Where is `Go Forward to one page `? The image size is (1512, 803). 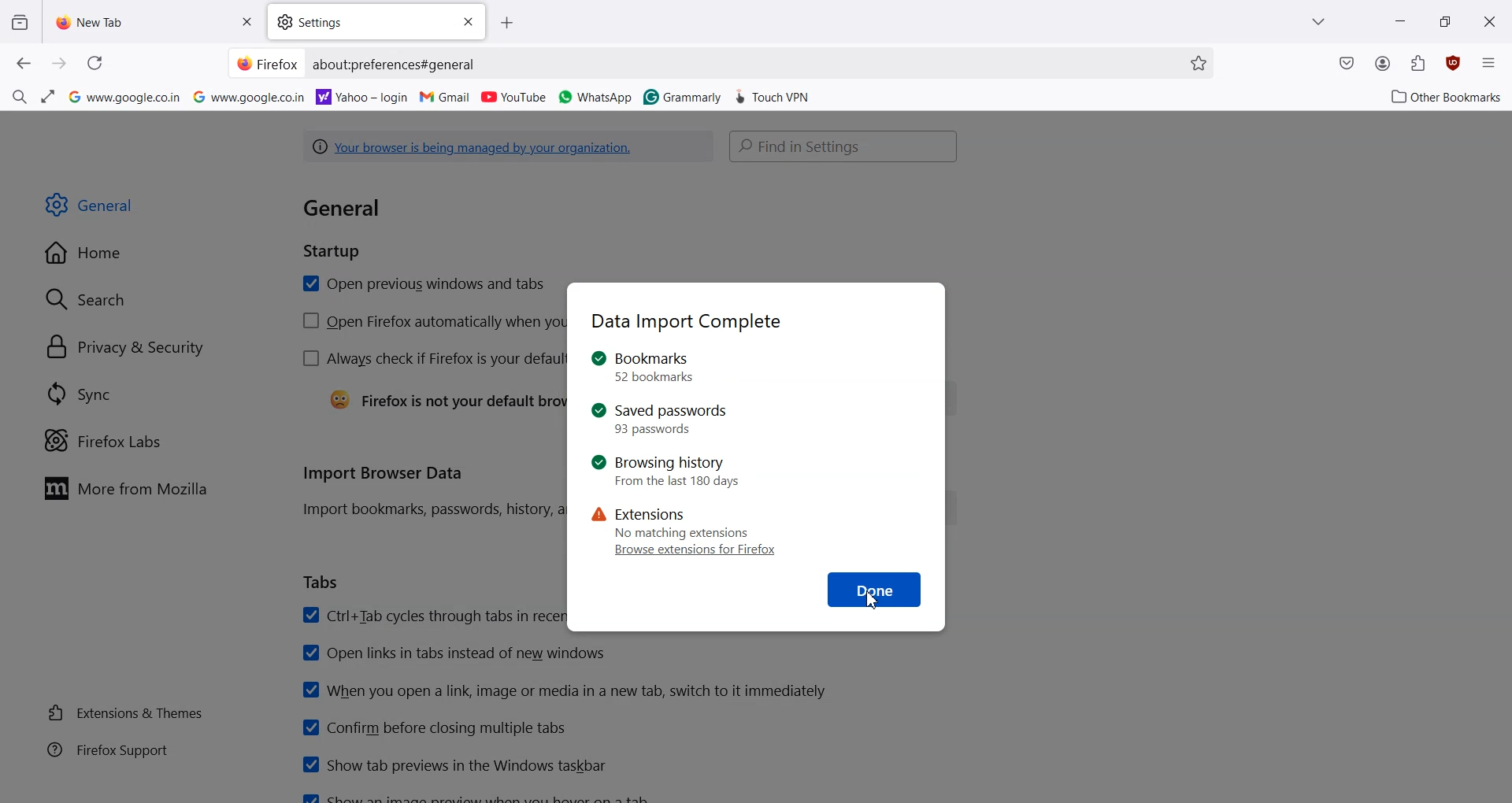
Go Forward to one page  is located at coordinates (60, 64).